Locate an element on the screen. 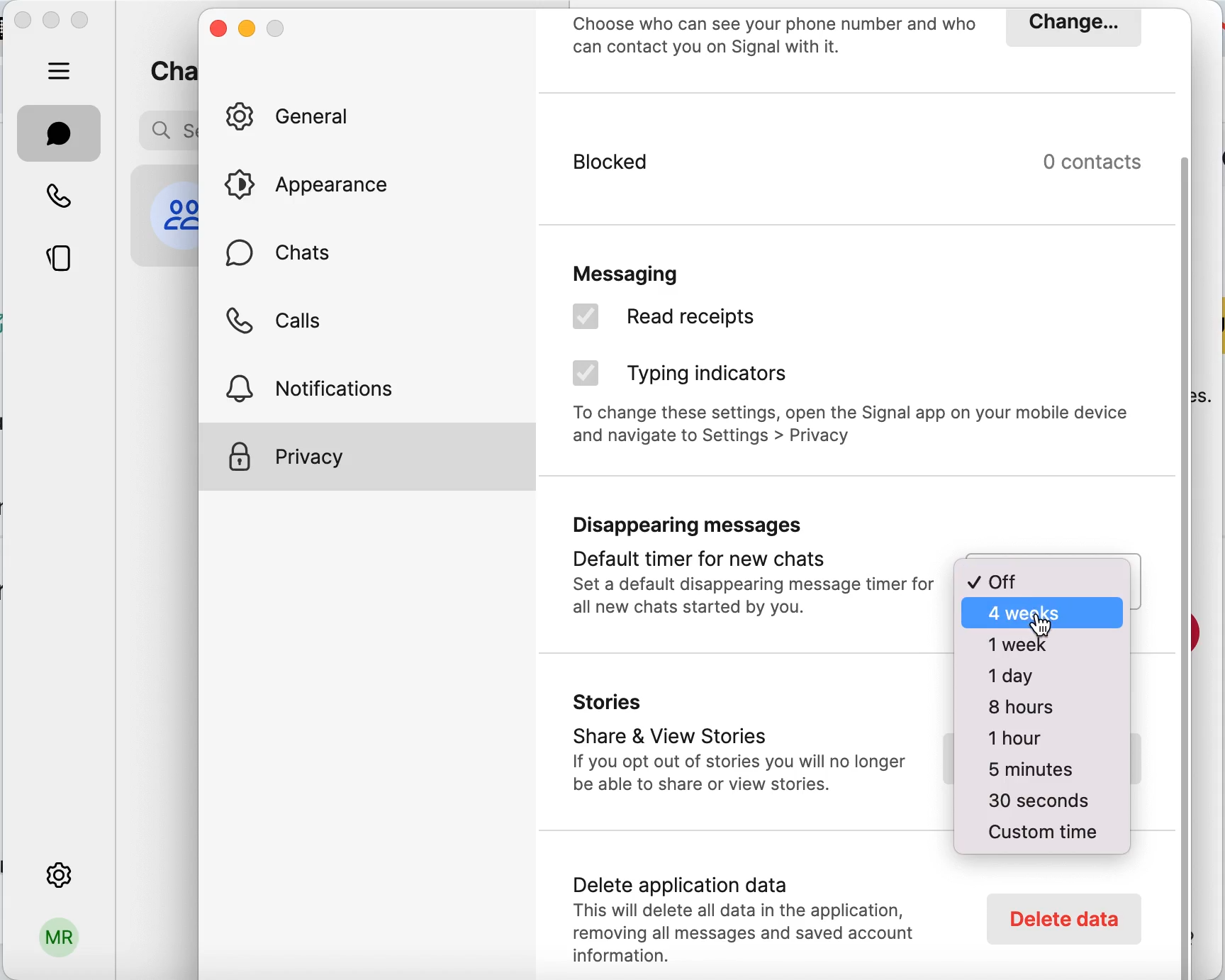 This screenshot has width=1225, height=980. general is located at coordinates (298, 118).